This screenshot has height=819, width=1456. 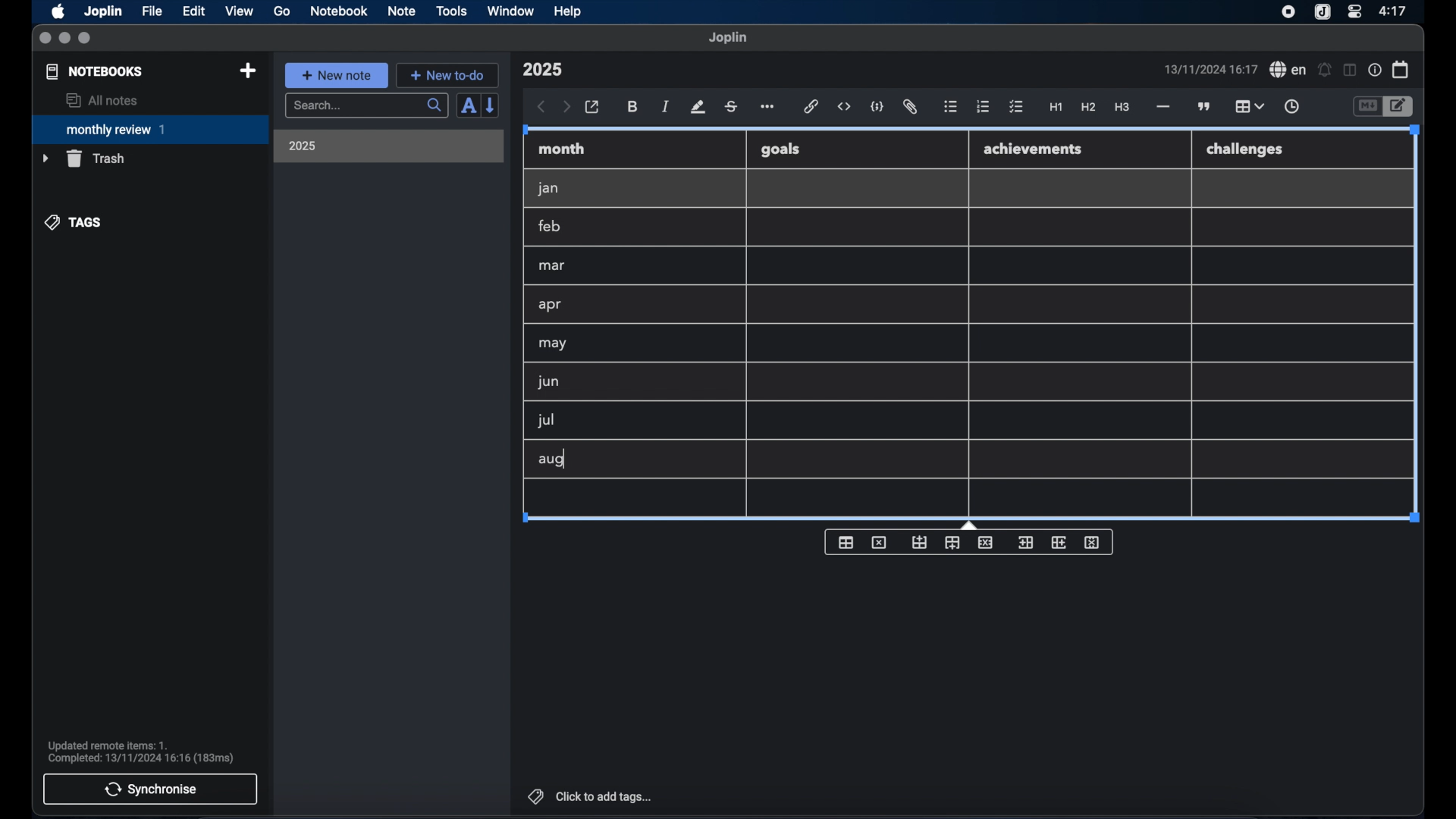 I want to click on bold, so click(x=634, y=107).